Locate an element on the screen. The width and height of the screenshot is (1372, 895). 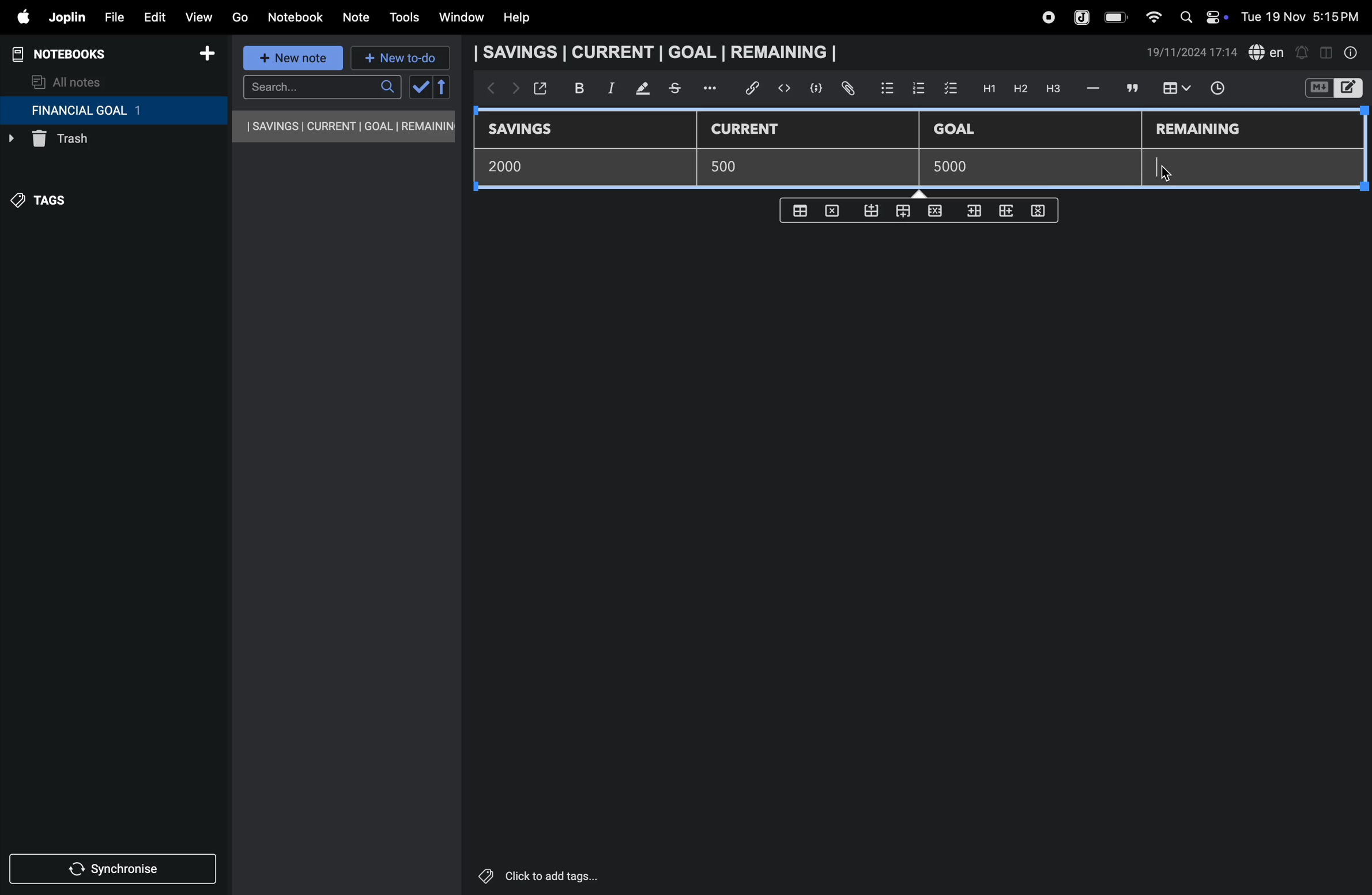
mark is located at coordinates (638, 89).